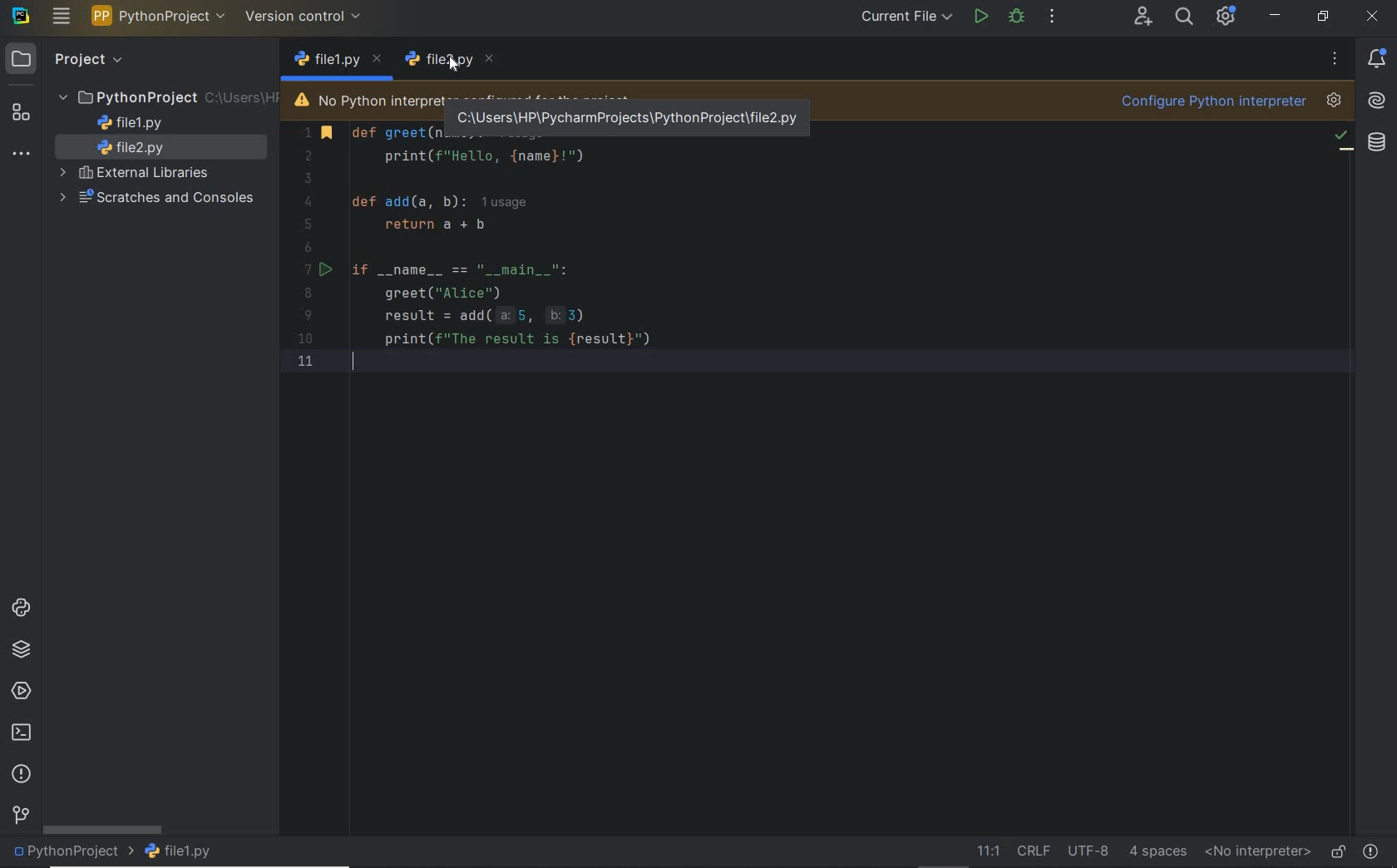 This screenshot has width=1397, height=868. I want to click on file name, so click(180, 853).